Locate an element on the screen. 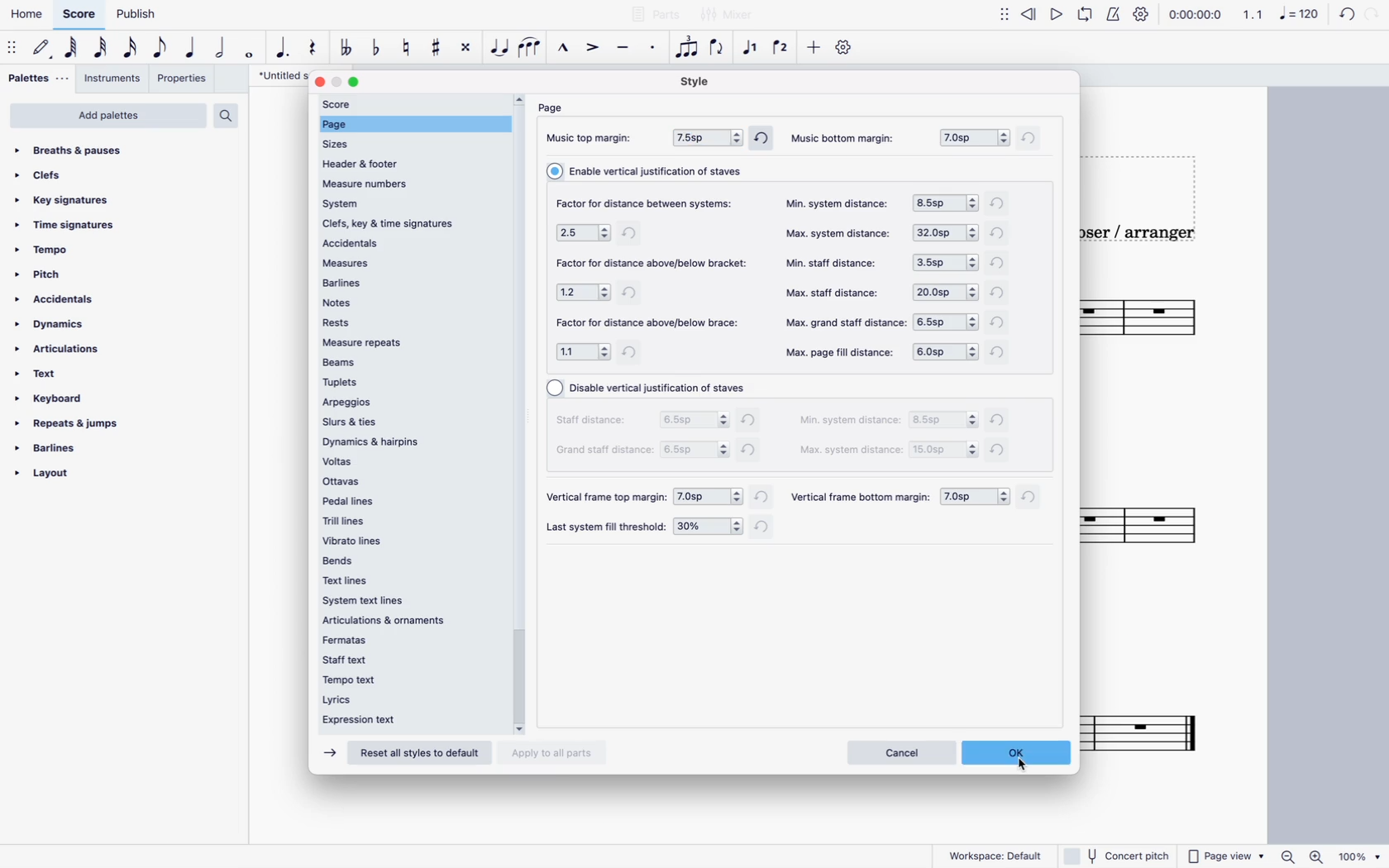 The image size is (1389, 868). toggle sharp is located at coordinates (435, 48).